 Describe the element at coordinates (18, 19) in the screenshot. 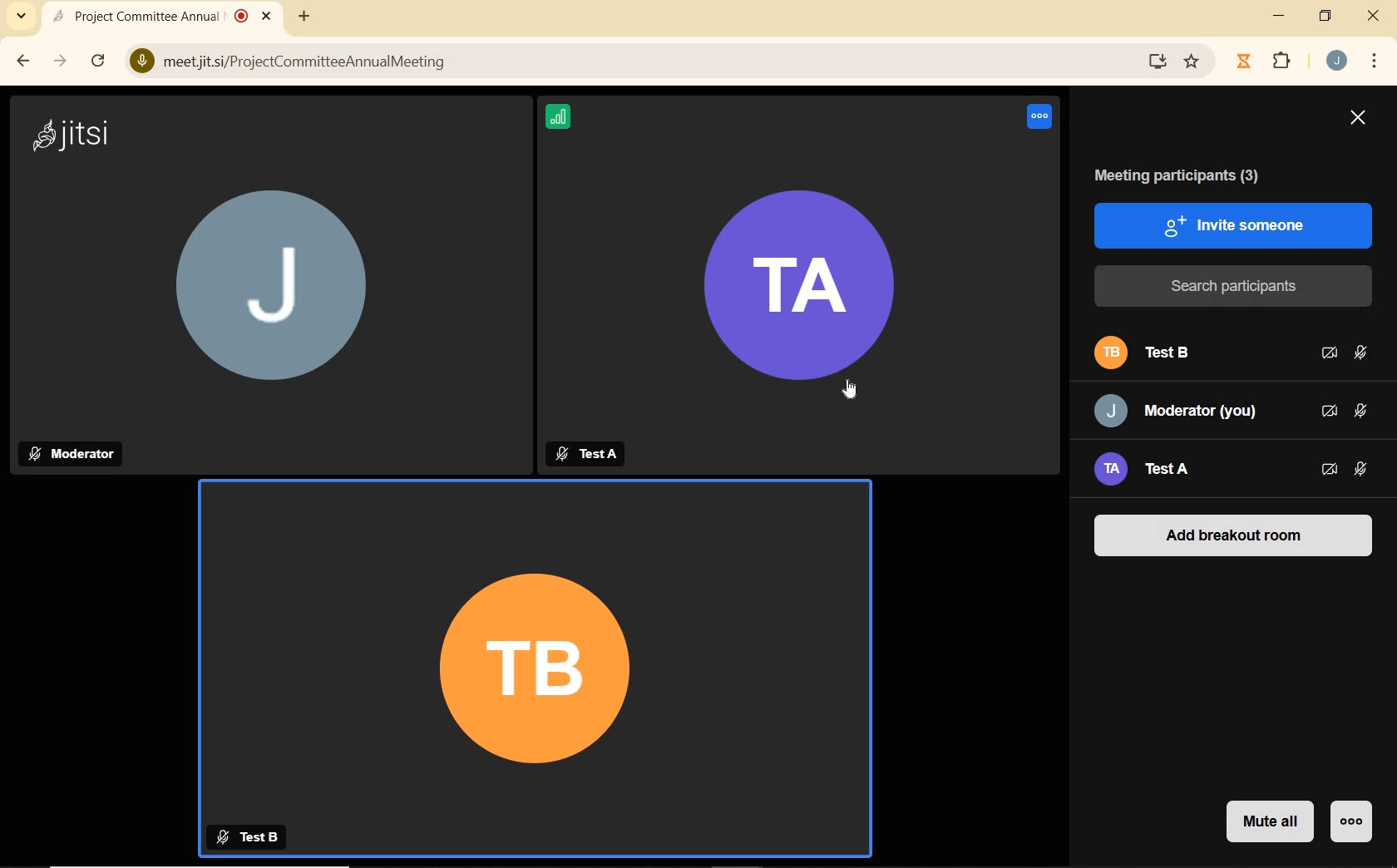

I see `SEARCH TABS` at that location.